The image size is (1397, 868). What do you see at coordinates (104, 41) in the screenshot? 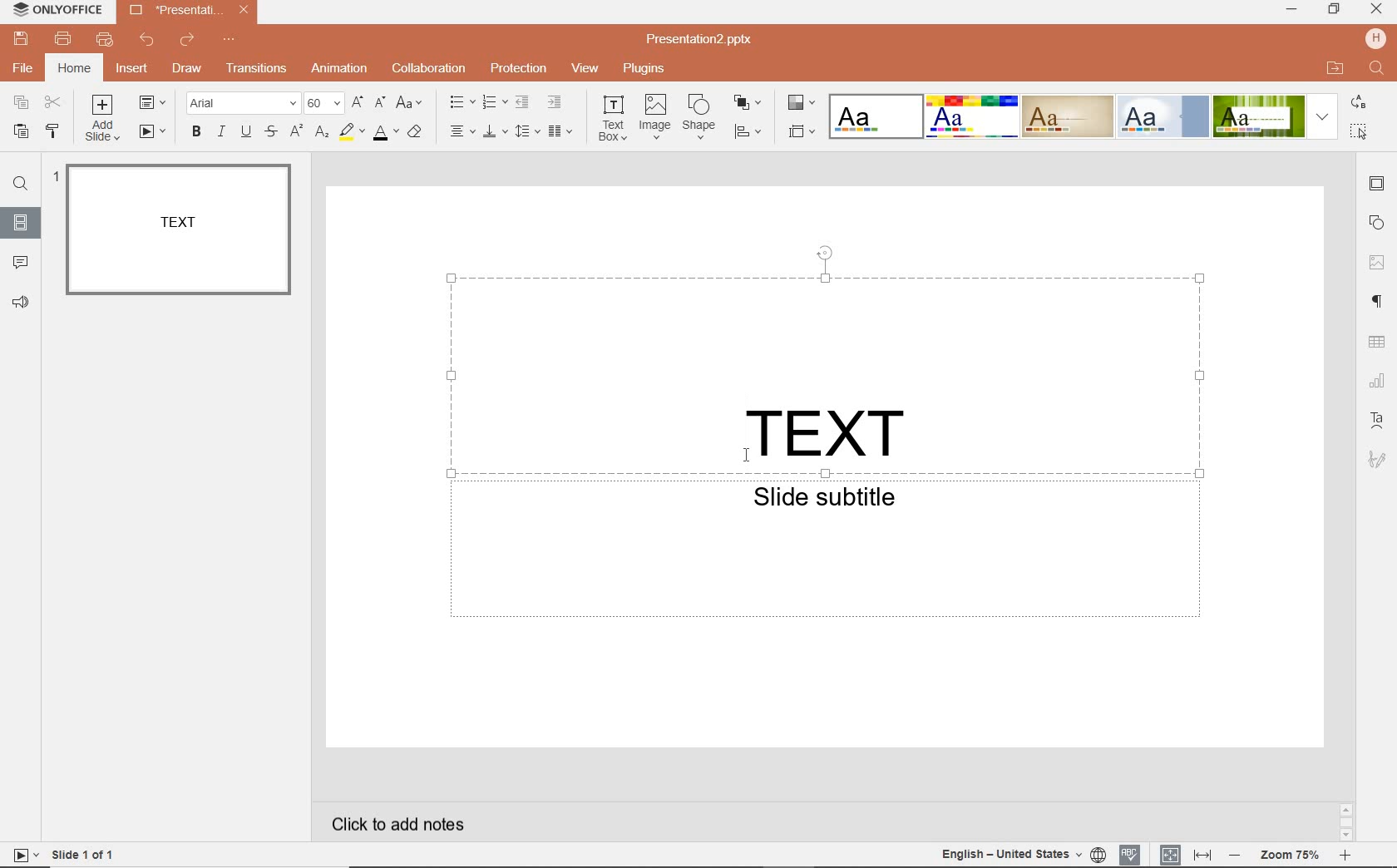
I see `QUICK PRINT` at bounding box center [104, 41].